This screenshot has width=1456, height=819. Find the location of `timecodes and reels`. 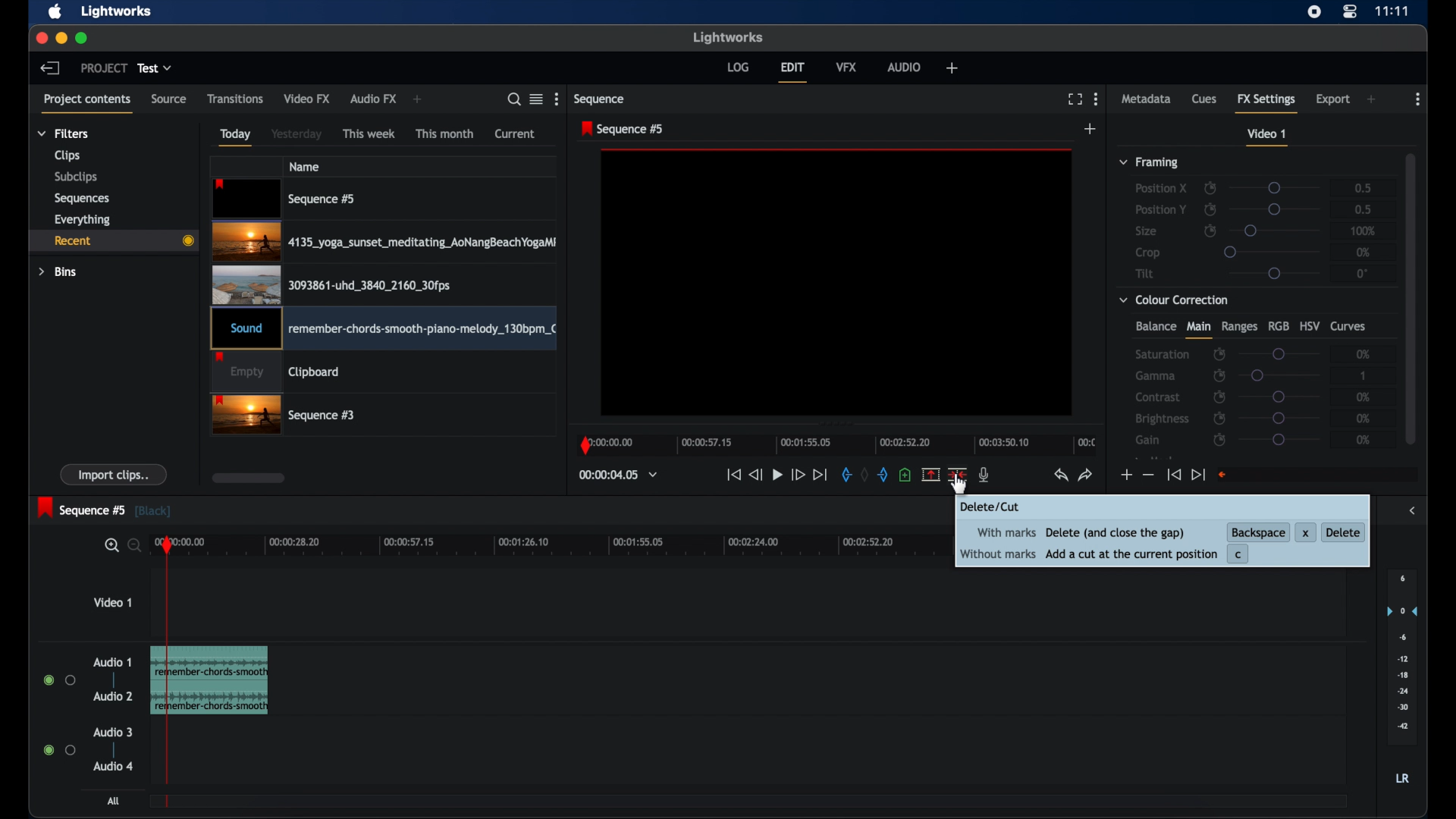

timecodes and reels is located at coordinates (618, 475).